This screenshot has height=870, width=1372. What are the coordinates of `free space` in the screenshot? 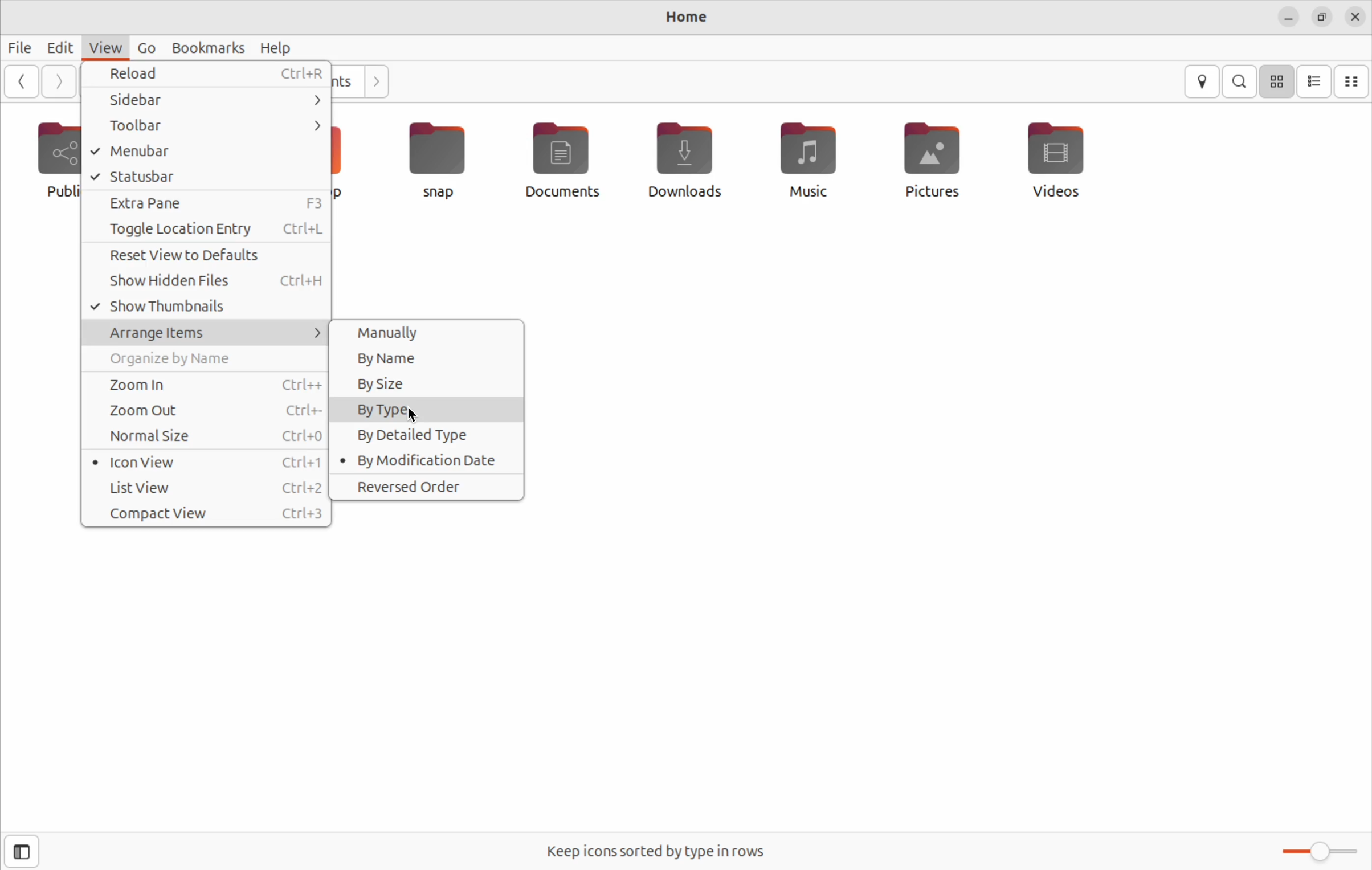 It's located at (658, 851).